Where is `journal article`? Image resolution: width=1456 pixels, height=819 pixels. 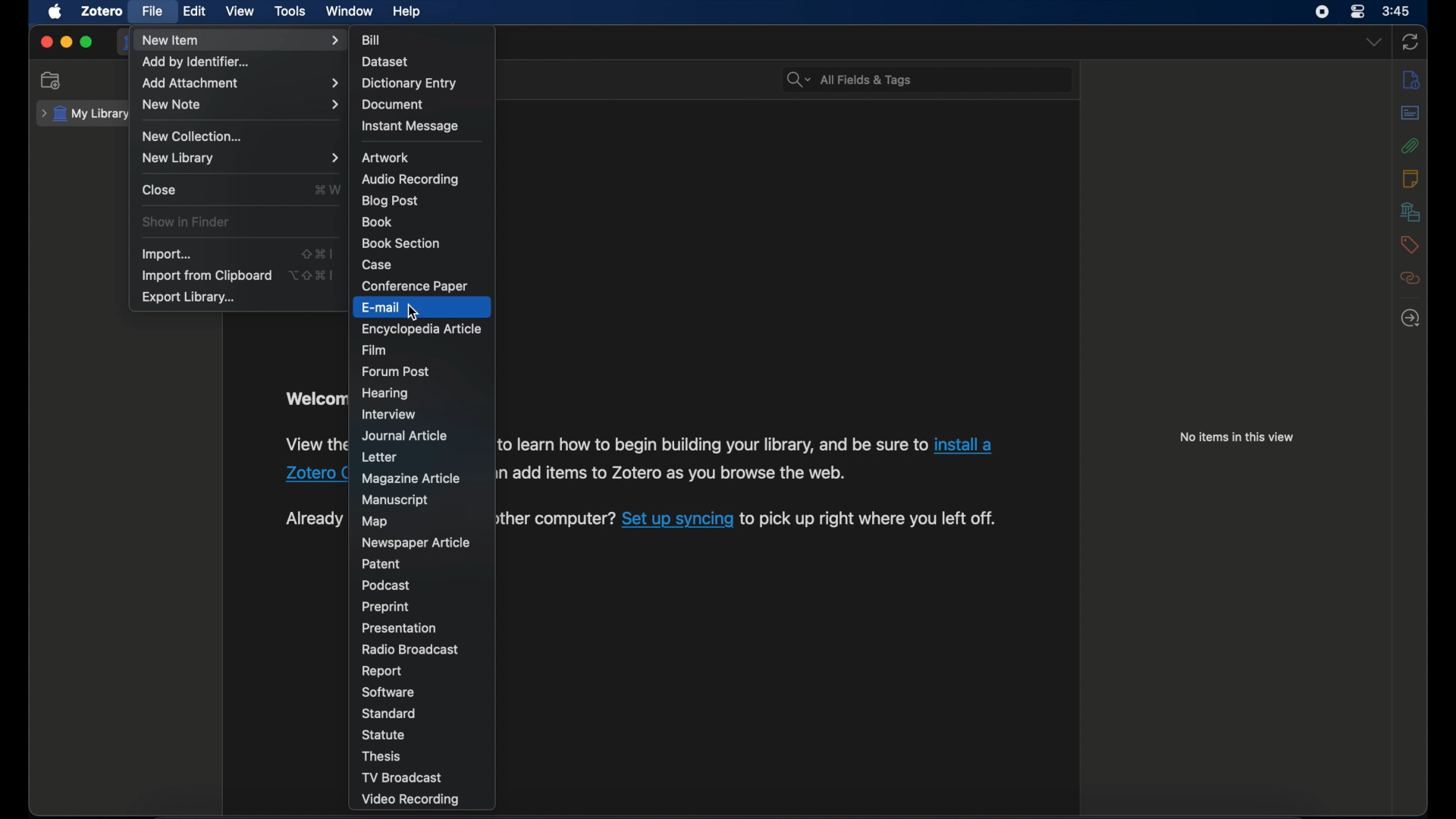
journal article is located at coordinates (404, 435).